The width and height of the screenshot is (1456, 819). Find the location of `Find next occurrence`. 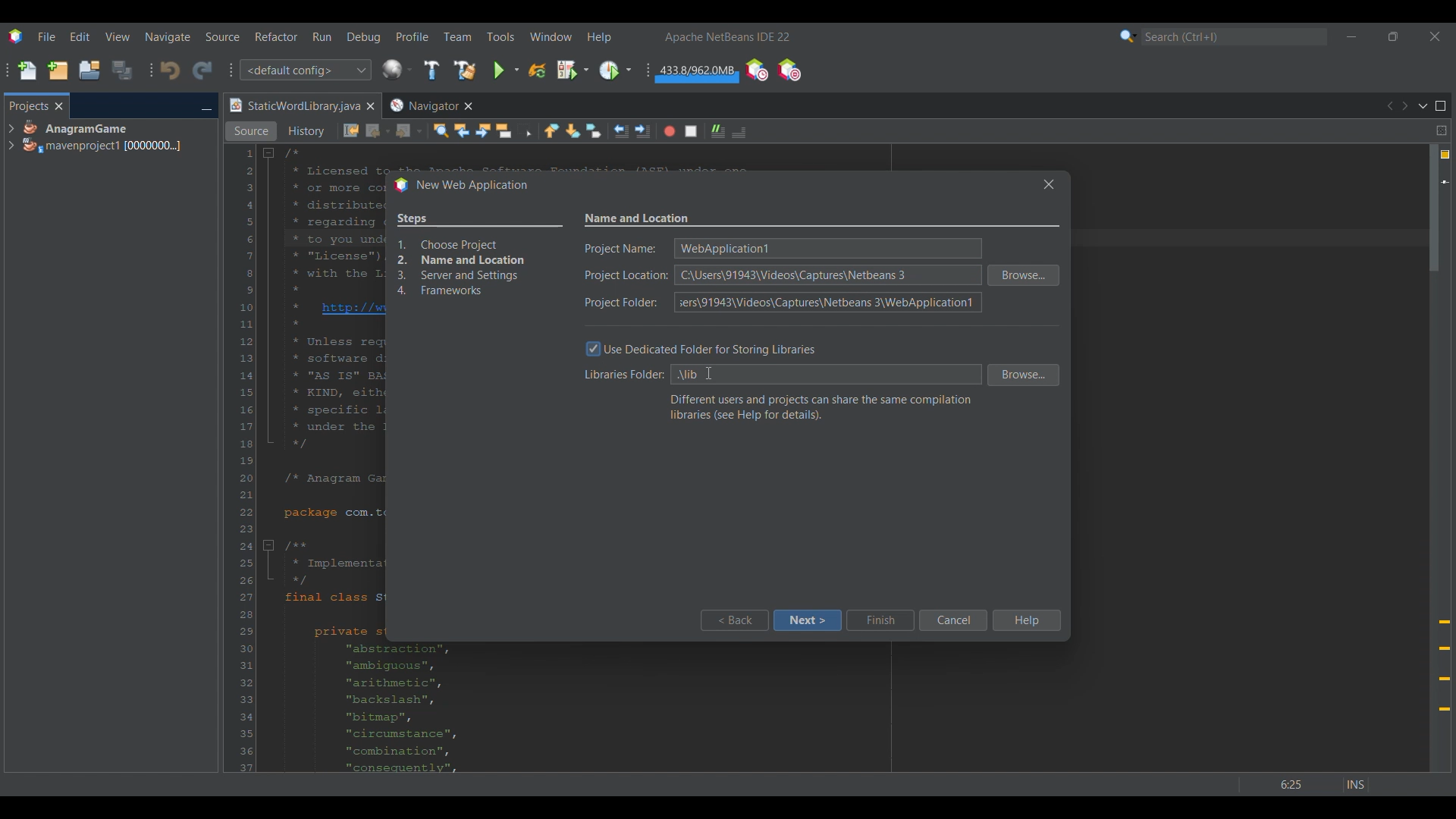

Find next occurrence is located at coordinates (483, 130).